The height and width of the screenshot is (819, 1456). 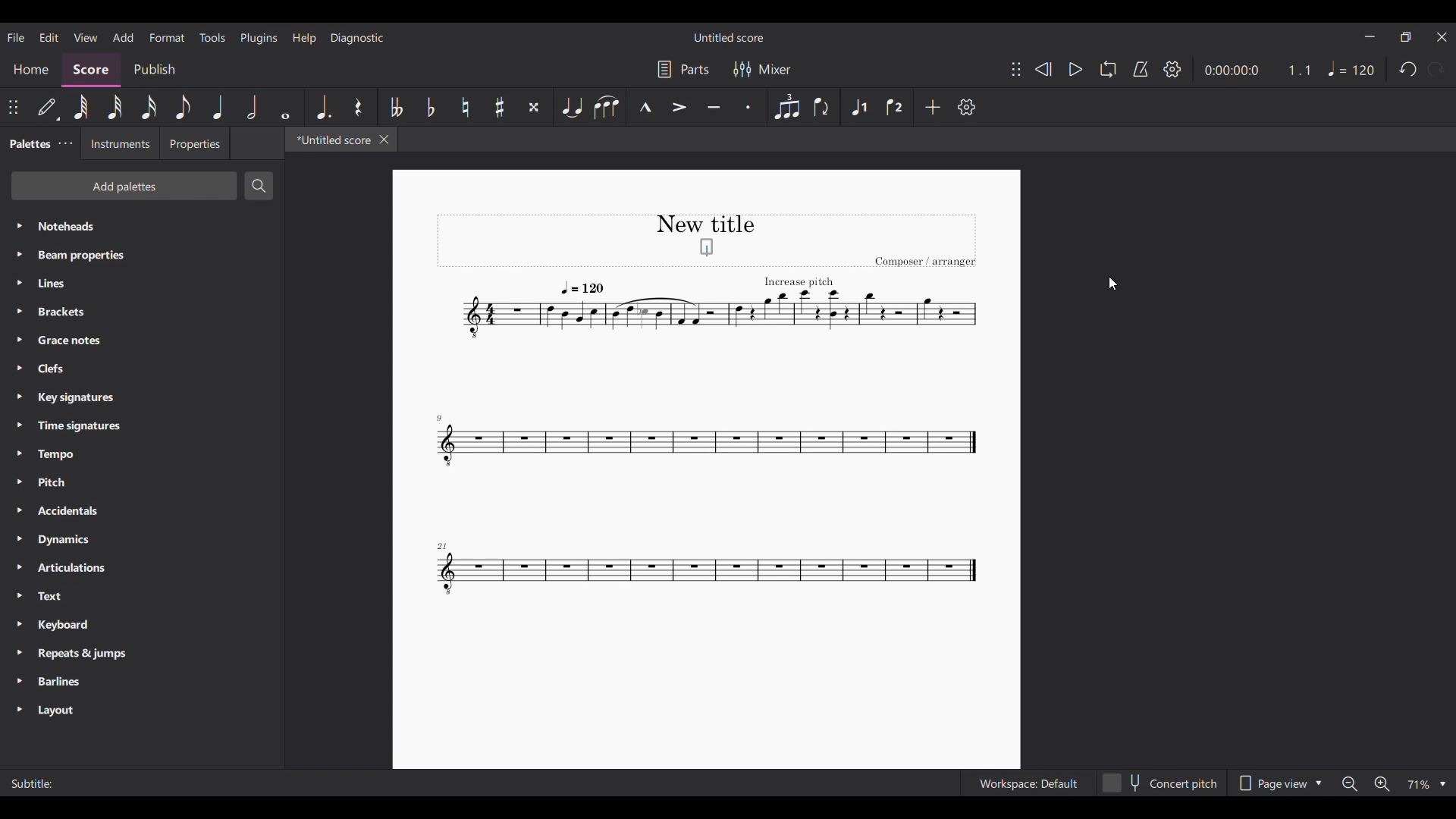 I want to click on Help menu, so click(x=304, y=39).